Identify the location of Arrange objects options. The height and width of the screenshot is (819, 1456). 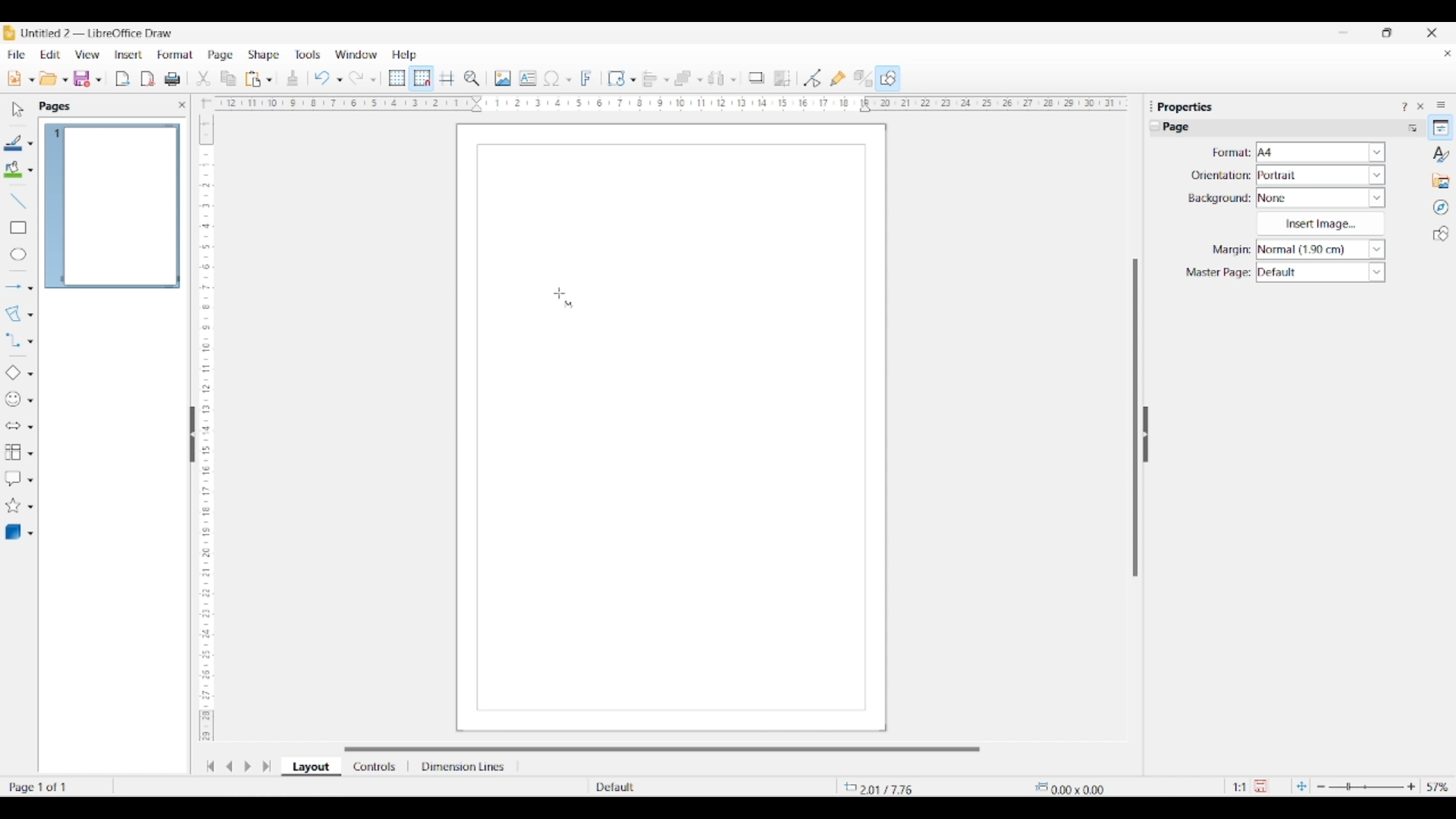
(700, 80).